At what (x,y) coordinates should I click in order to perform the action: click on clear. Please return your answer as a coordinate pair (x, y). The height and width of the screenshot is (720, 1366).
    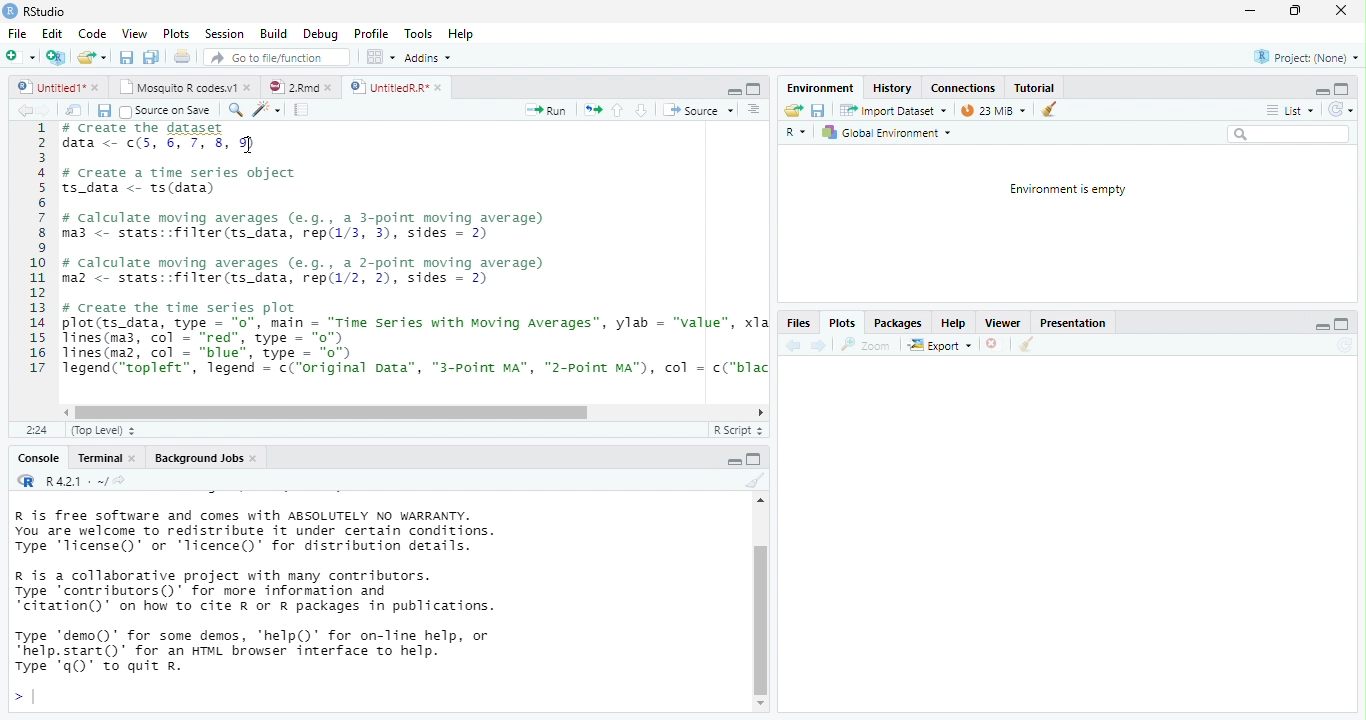
    Looking at the image, I should click on (1049, 108).